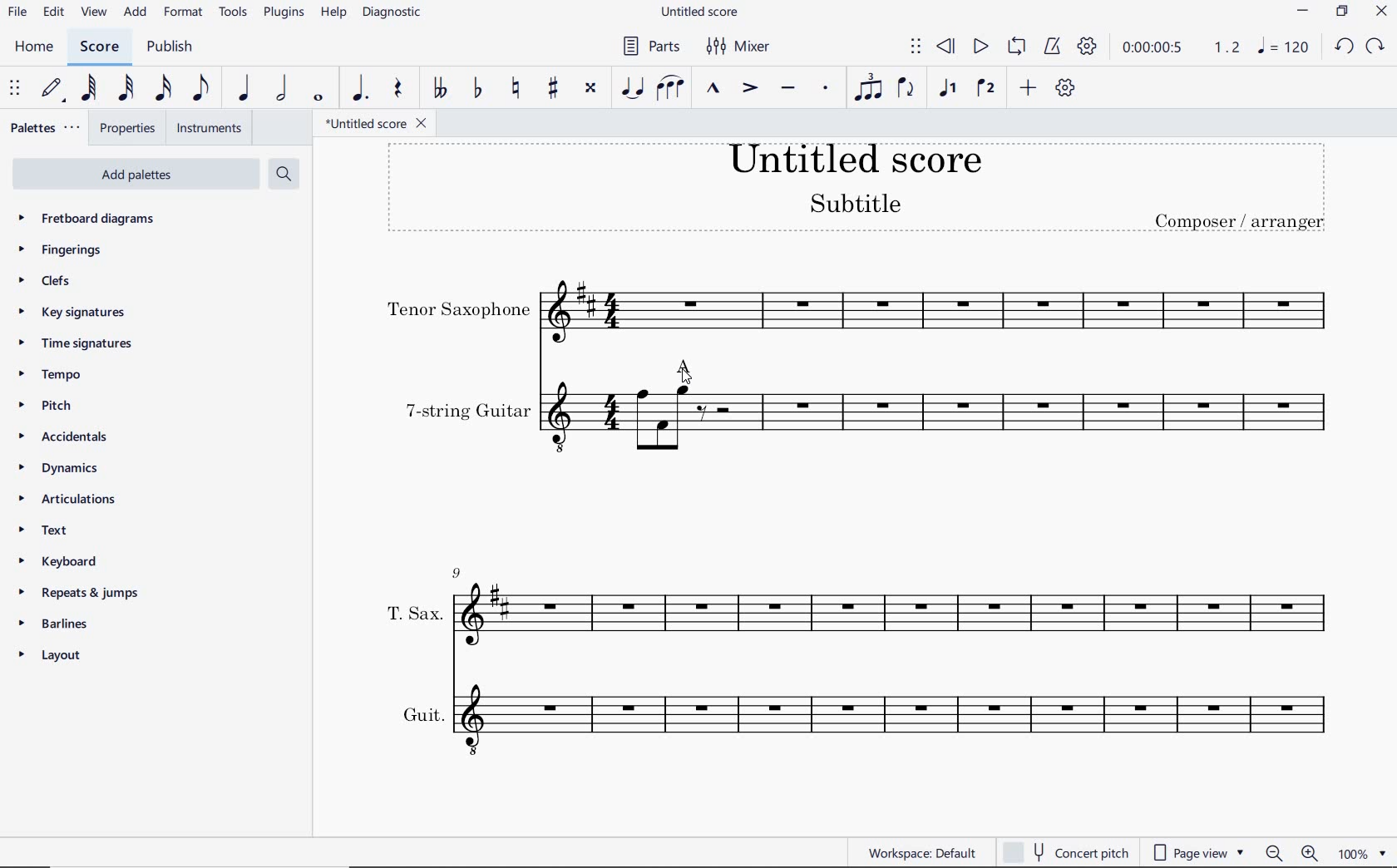  What do you see at coordinates (1341, 13) in the screenshot?
I see `RESTORE DOWN` at bounding box center [1341, 13].